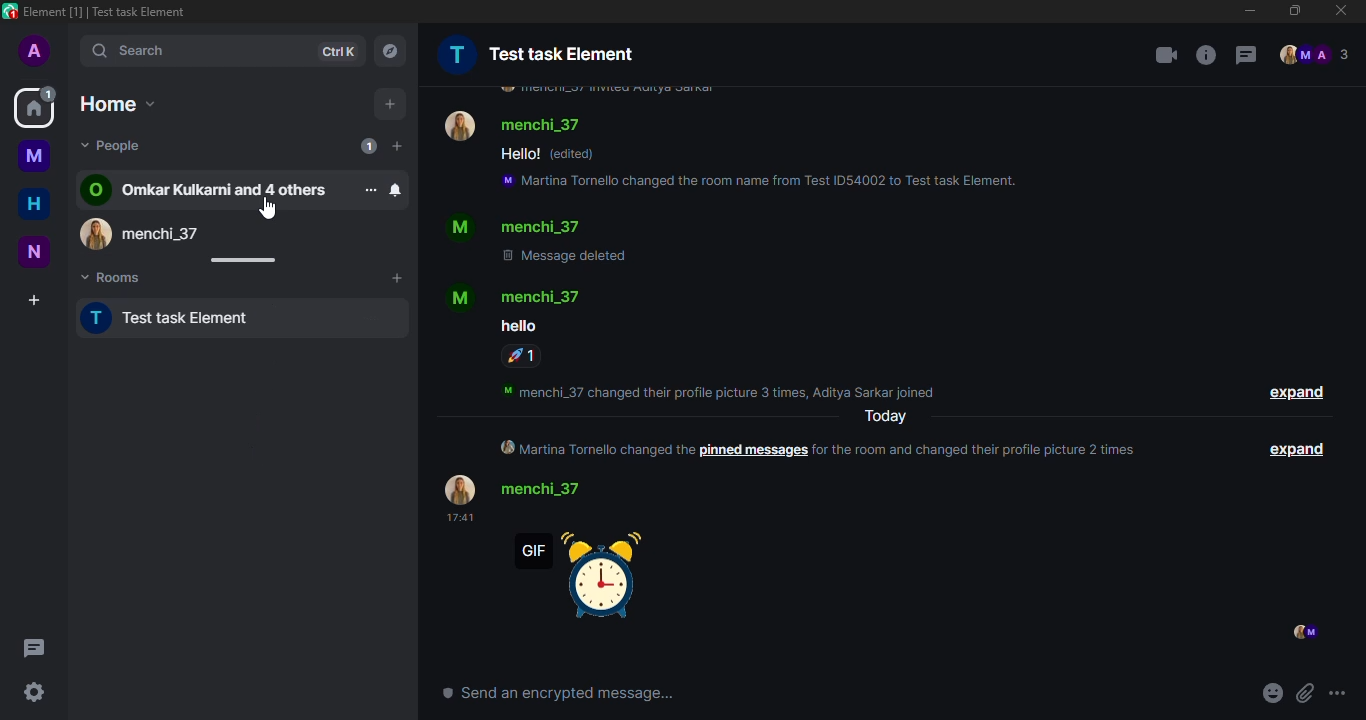 This screenshot has width=1366, height=720. What do you see at coordinates (34, 107) in the screenshot?
I see `home` at bounding box center [34, 107].